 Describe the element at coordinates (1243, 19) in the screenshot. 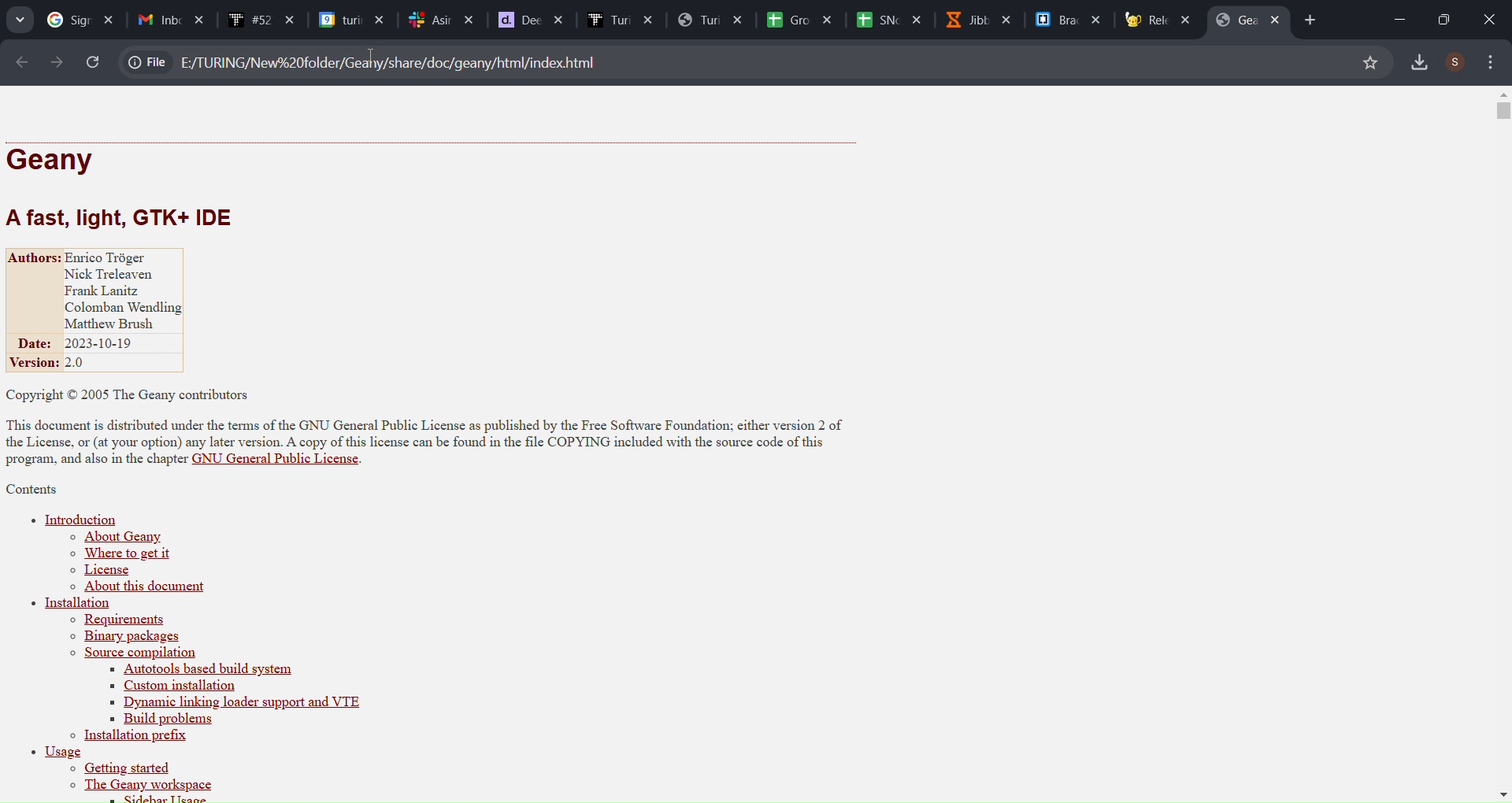

I see `geany help` at that location.